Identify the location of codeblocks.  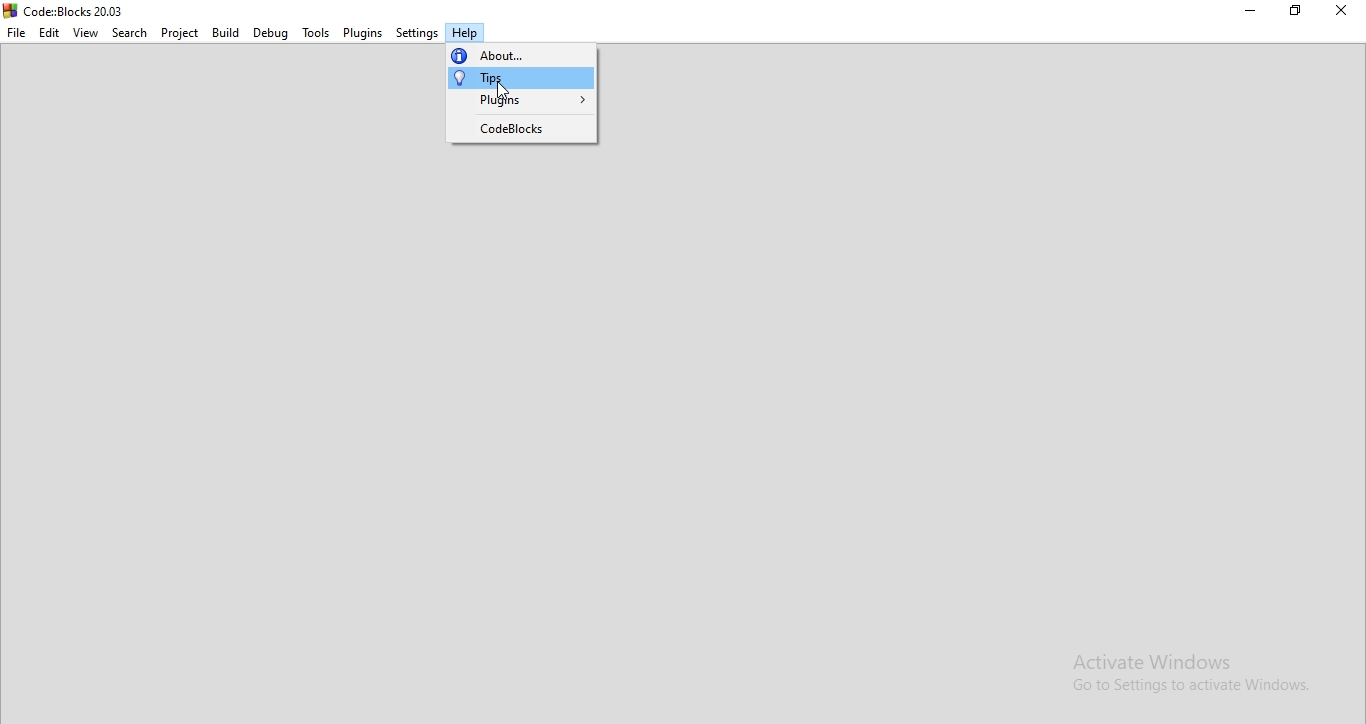
(520, 129).